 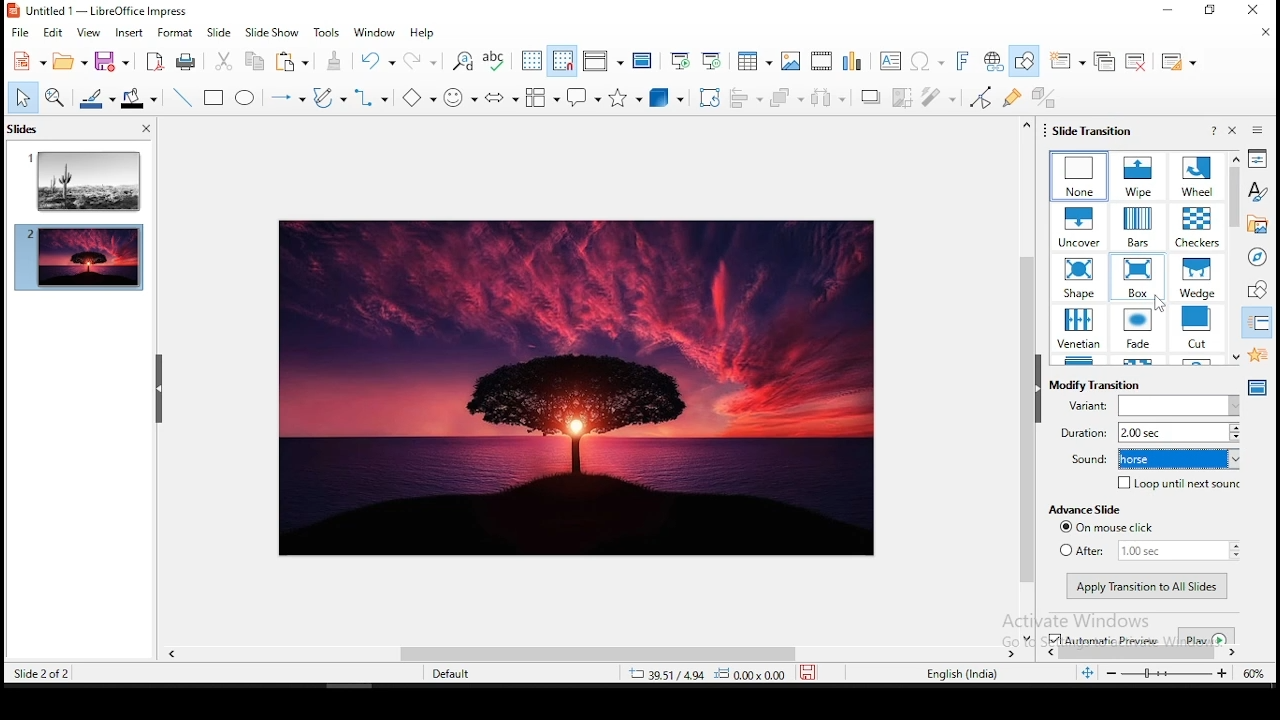 I want to click on transition effects, so click(x=1079, y=226).